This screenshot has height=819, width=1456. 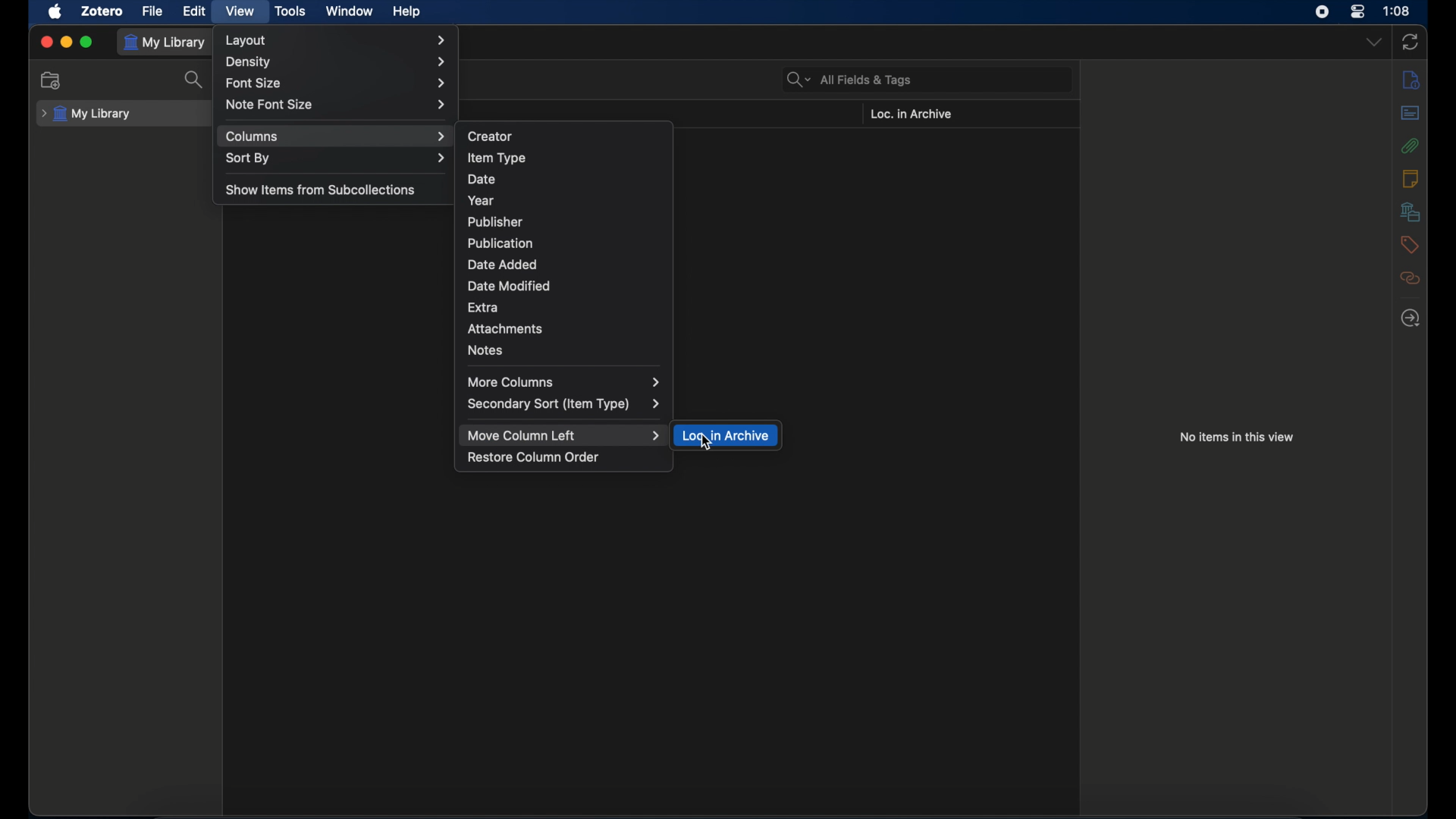 I want to click on dropdown, so click(x=1373, y=42).